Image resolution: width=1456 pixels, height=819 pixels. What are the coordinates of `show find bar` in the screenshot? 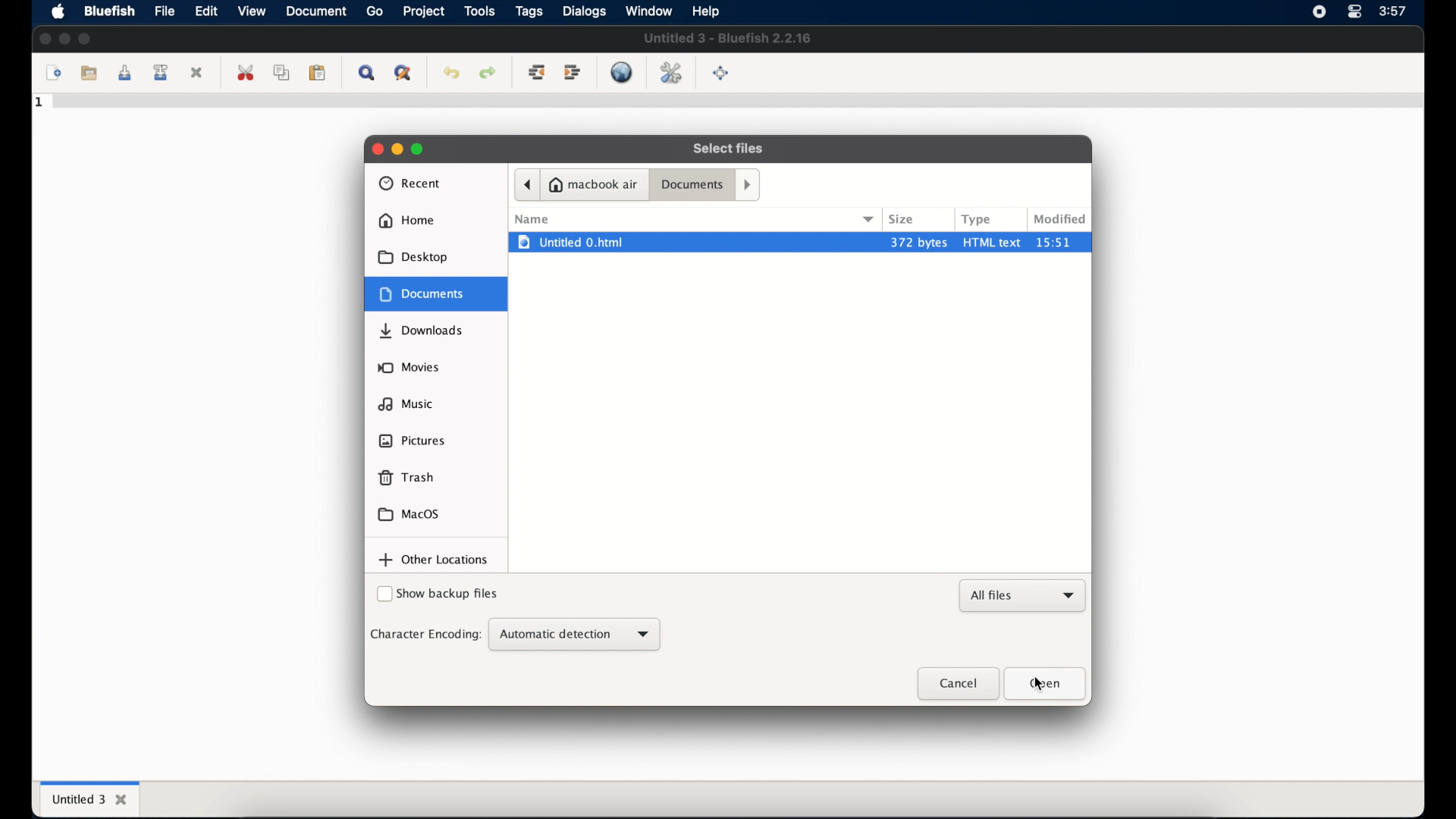 It's located at (366, 74).